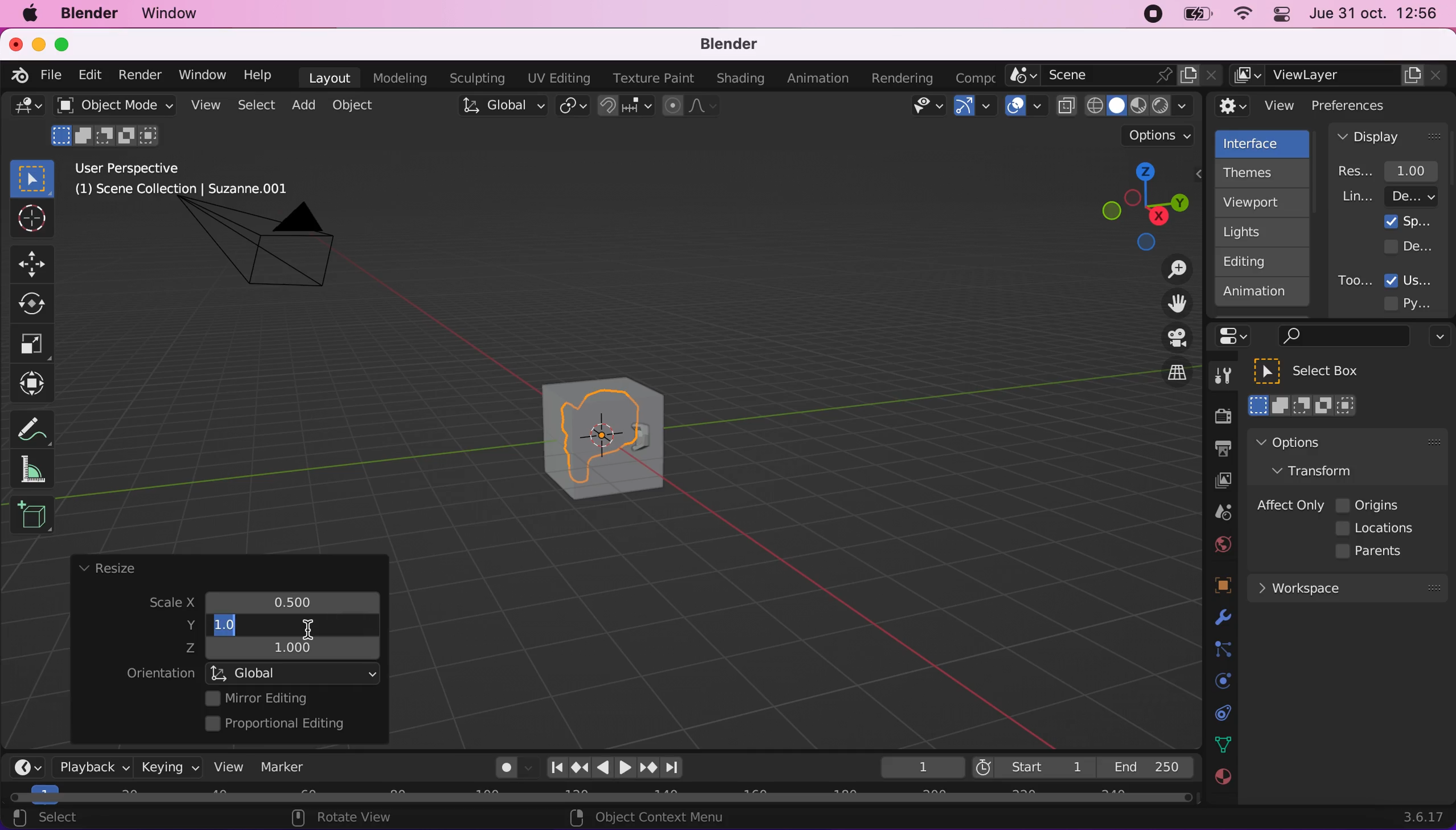  What do you see at coordinates (580, 767) in the screenshot?
I see `jump to keyframe` at bounding box center [580, 767].